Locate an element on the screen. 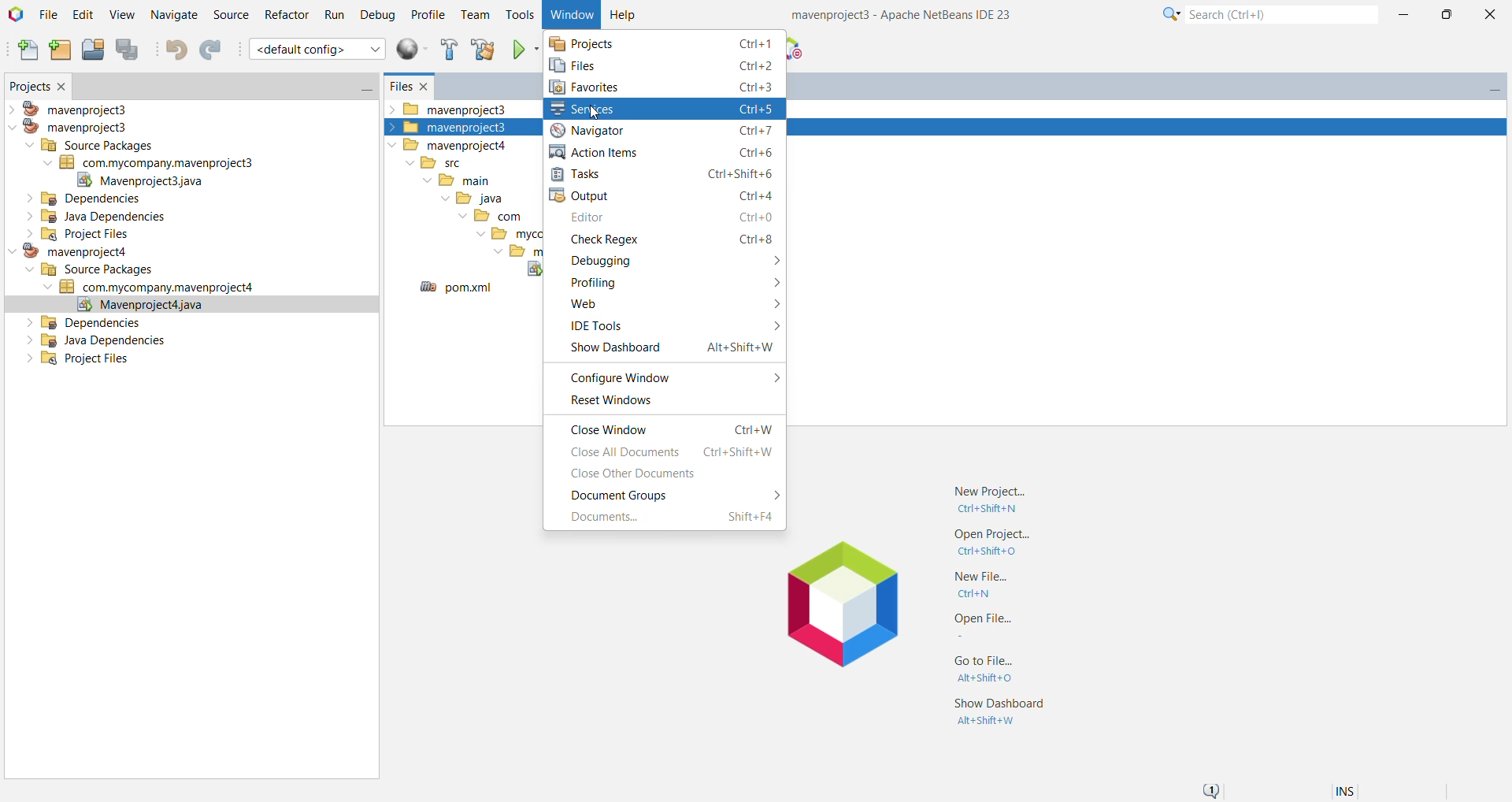 The height and width of the screenshot is (802, 1512). Show Dashboard is located at coordinates (667, 348).